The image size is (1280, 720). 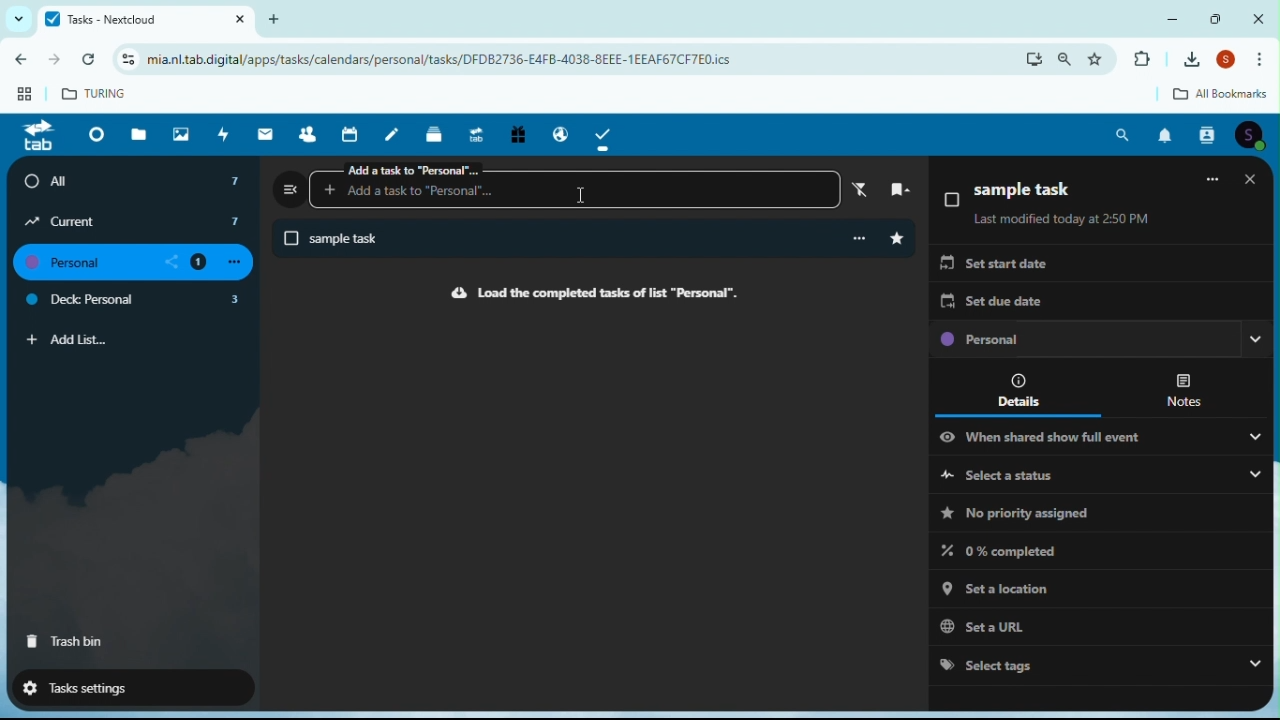 What do you see at coordinates (1101, 58) in the screenshot?
I see `favorites` at bounding box center [1101, 58].